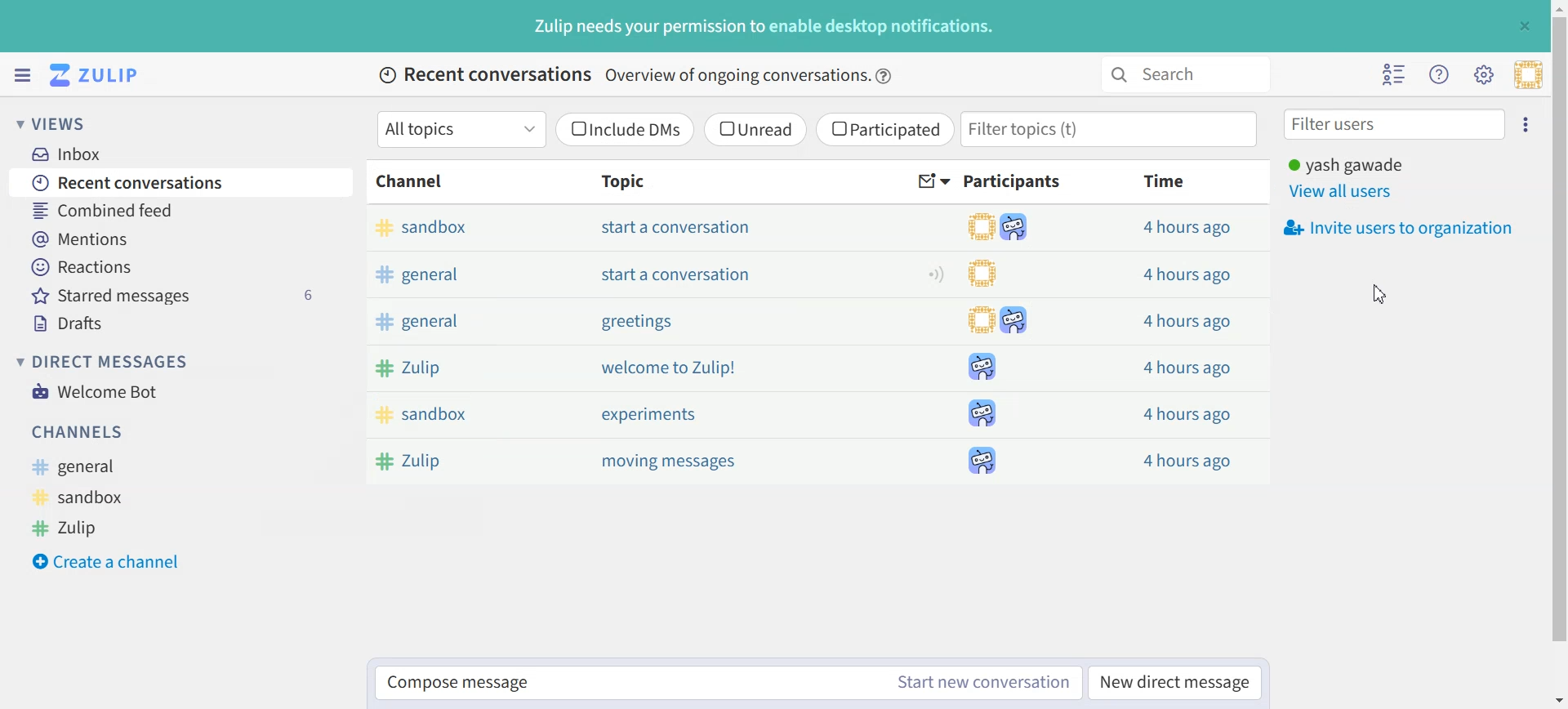 Image resolution: width=1568 pixels, height=709 pixels. Describe the element at coordinates (1174, 681) in the screenshot. I see `New direct messages` at that location.